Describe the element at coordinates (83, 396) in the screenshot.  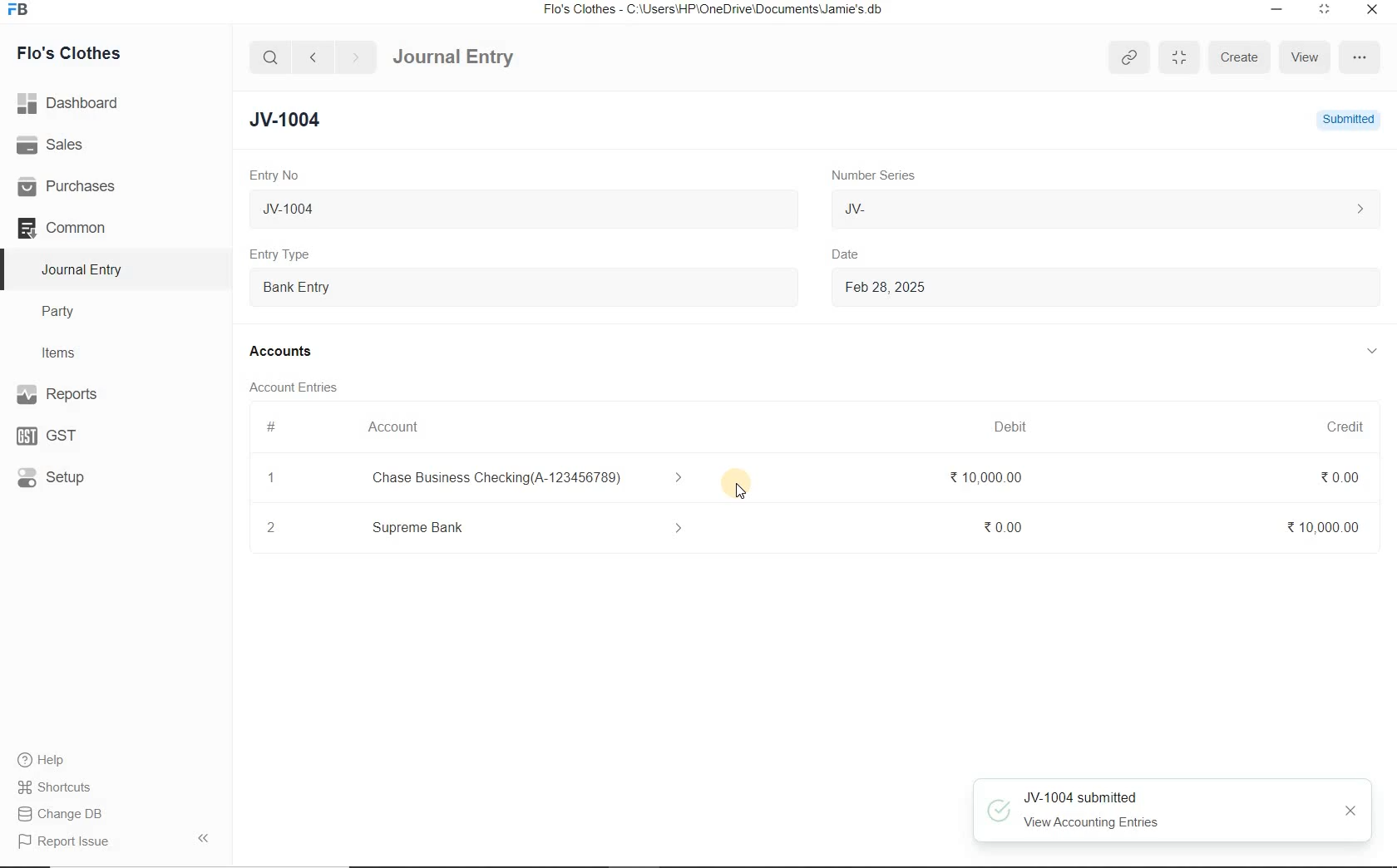
I see `Reports` at that location.